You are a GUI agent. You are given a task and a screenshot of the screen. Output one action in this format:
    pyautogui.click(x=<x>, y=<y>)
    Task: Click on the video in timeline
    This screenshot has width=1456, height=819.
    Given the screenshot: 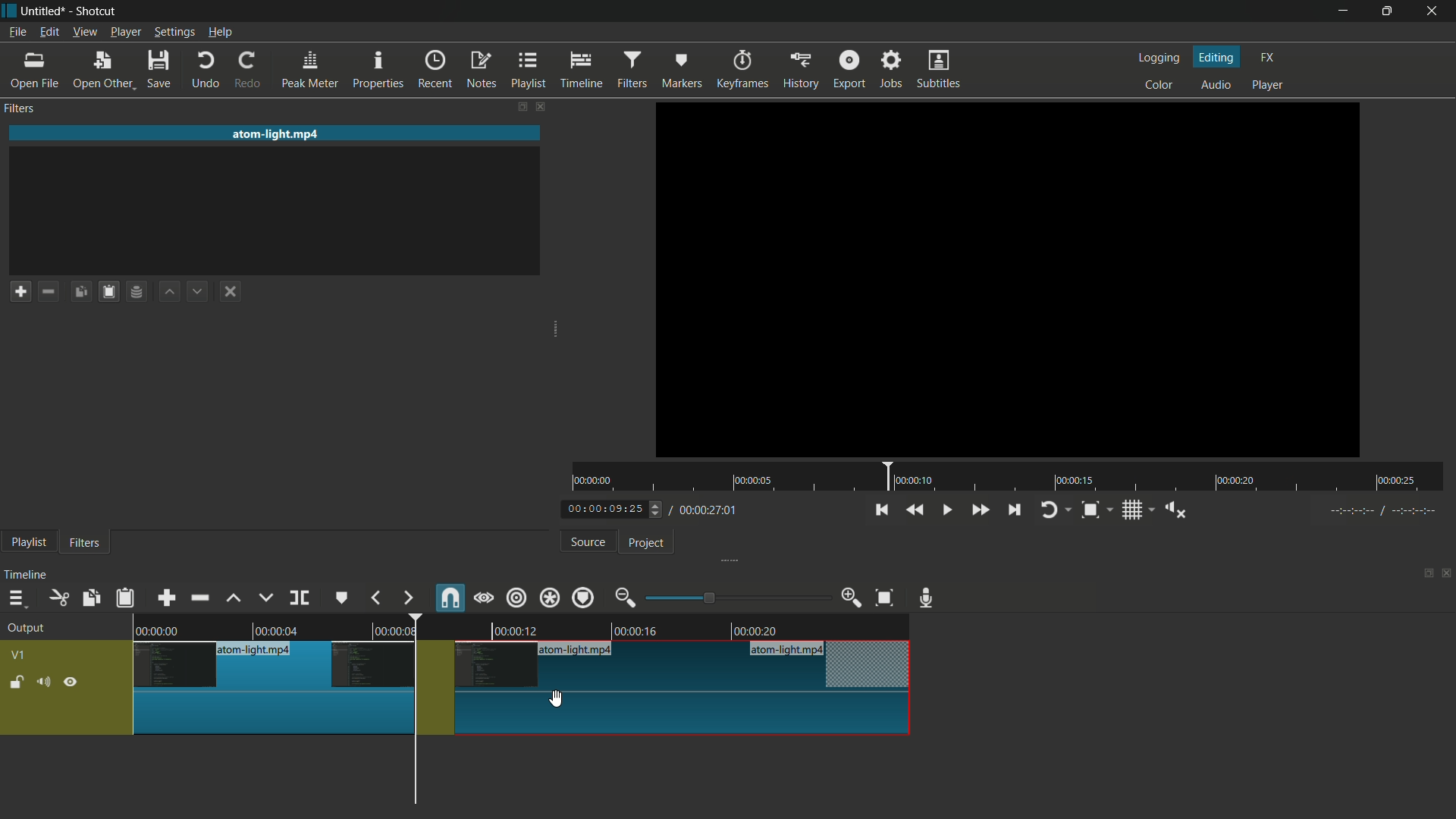 What is the action you would take?
    pyautogui.click(x=520, y=625)
    